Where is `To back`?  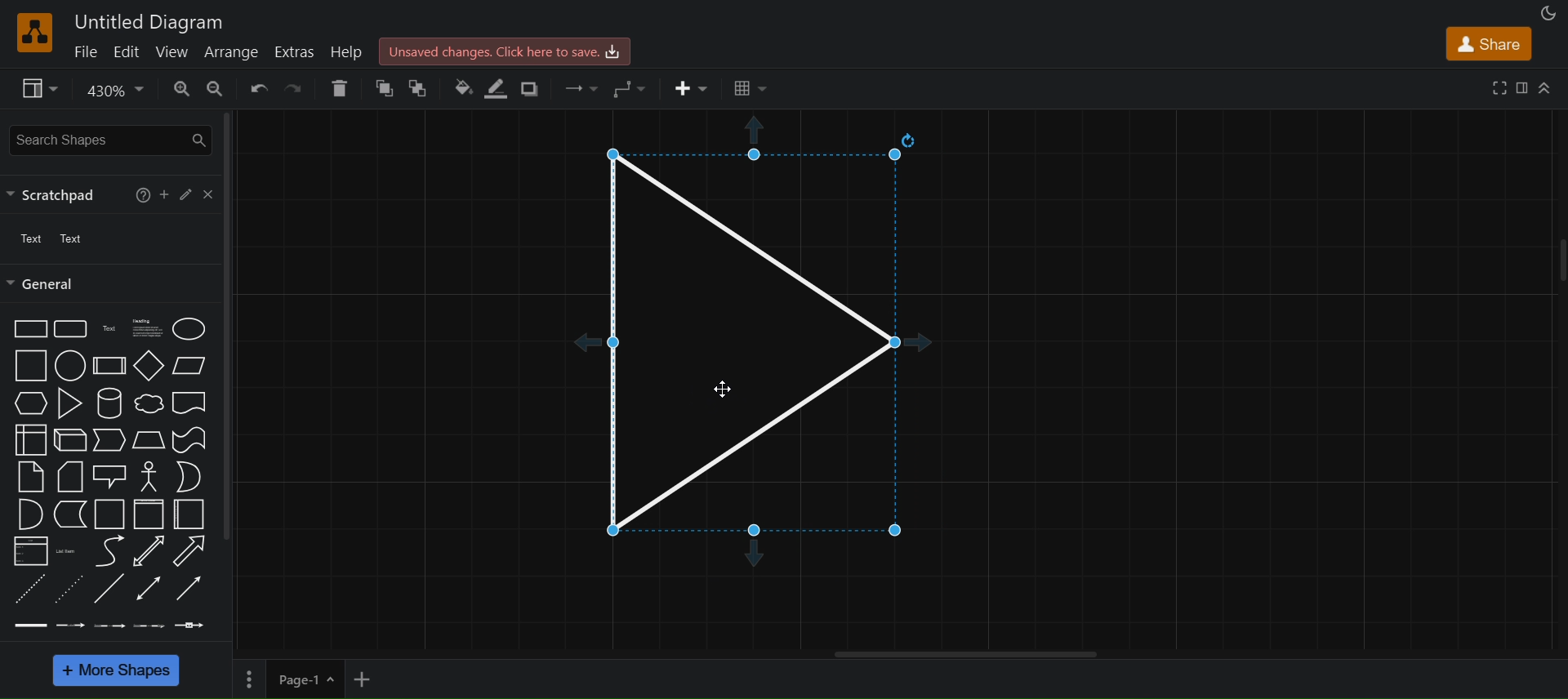
To back is located at coordinates (421, 88).